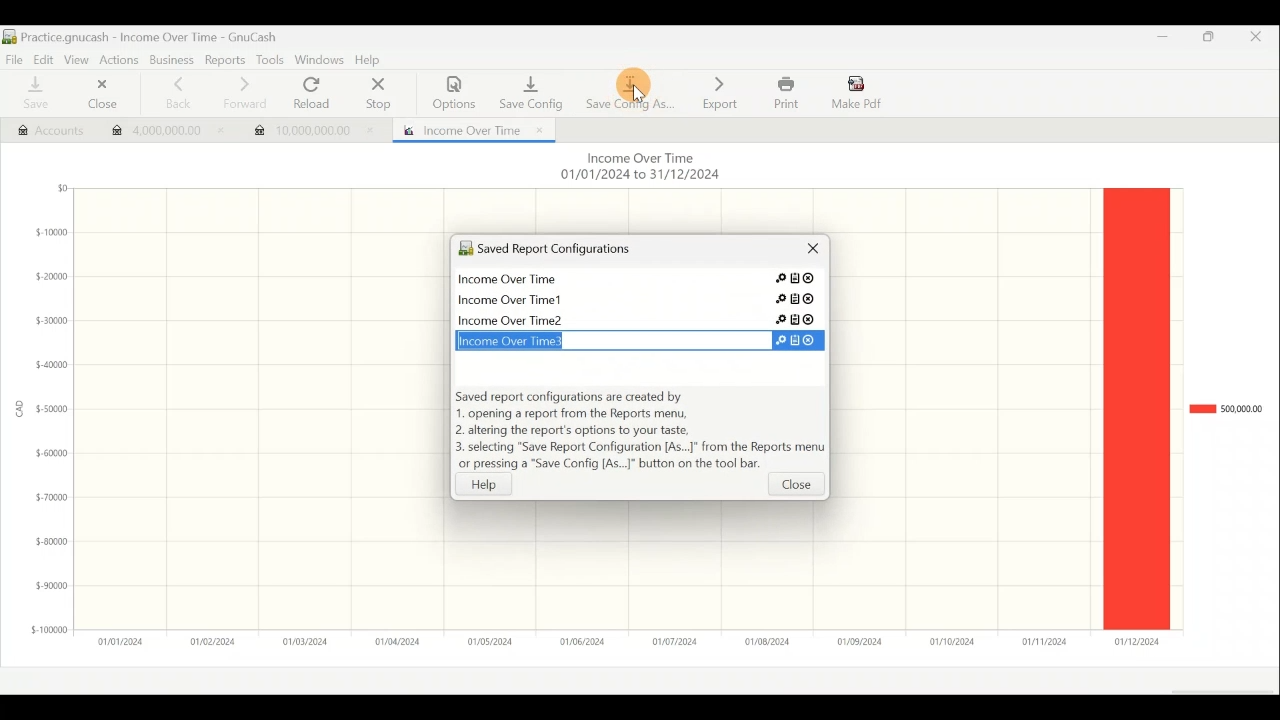 This screenshot has height=720, width=1280. What do you see at coordinates (642, 281) in the screenshot?
I see `Saved report 1` at bounding box center [642, 281].